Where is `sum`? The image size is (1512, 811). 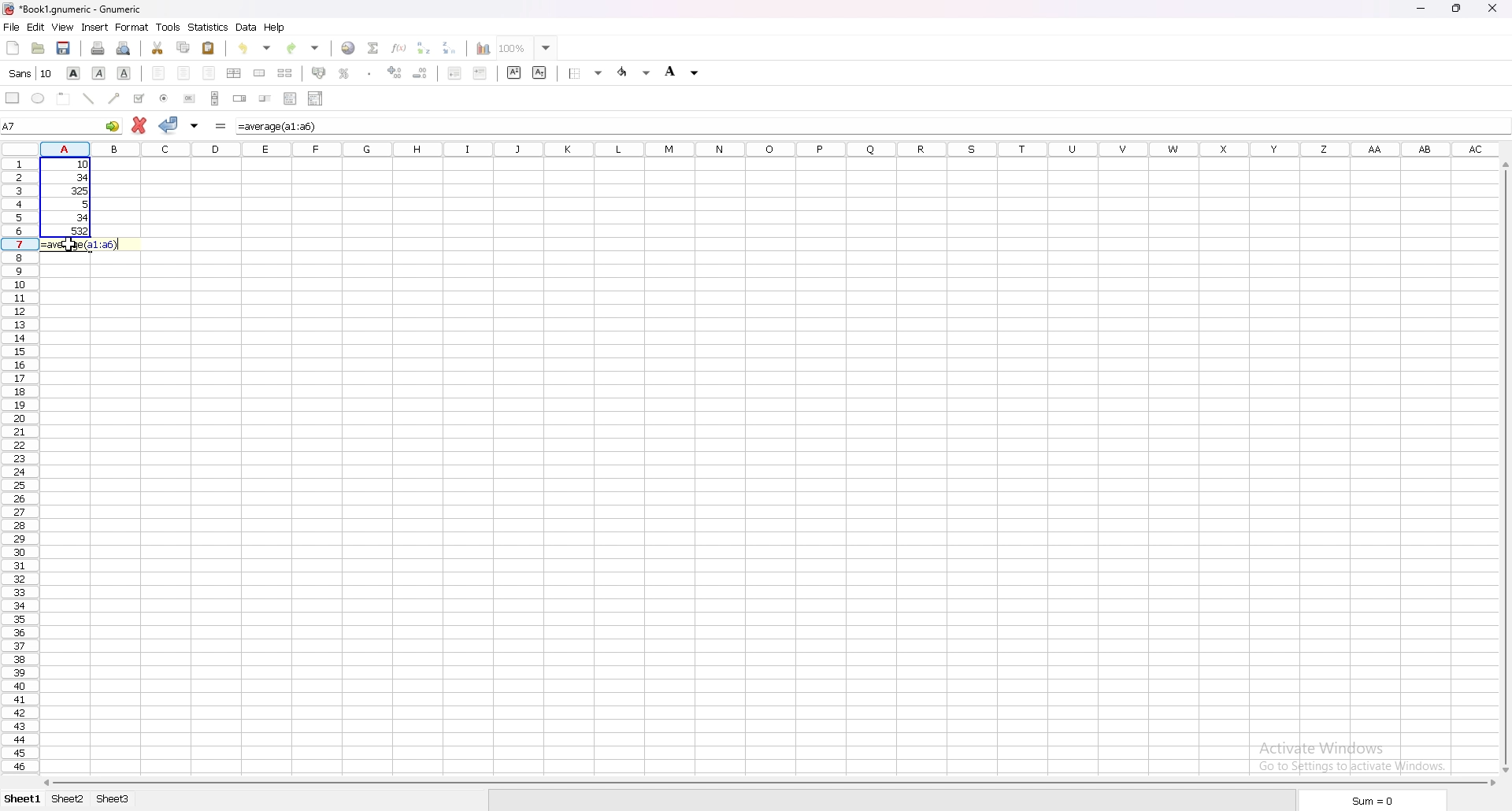 sum is located at coordinates (1373, 801).